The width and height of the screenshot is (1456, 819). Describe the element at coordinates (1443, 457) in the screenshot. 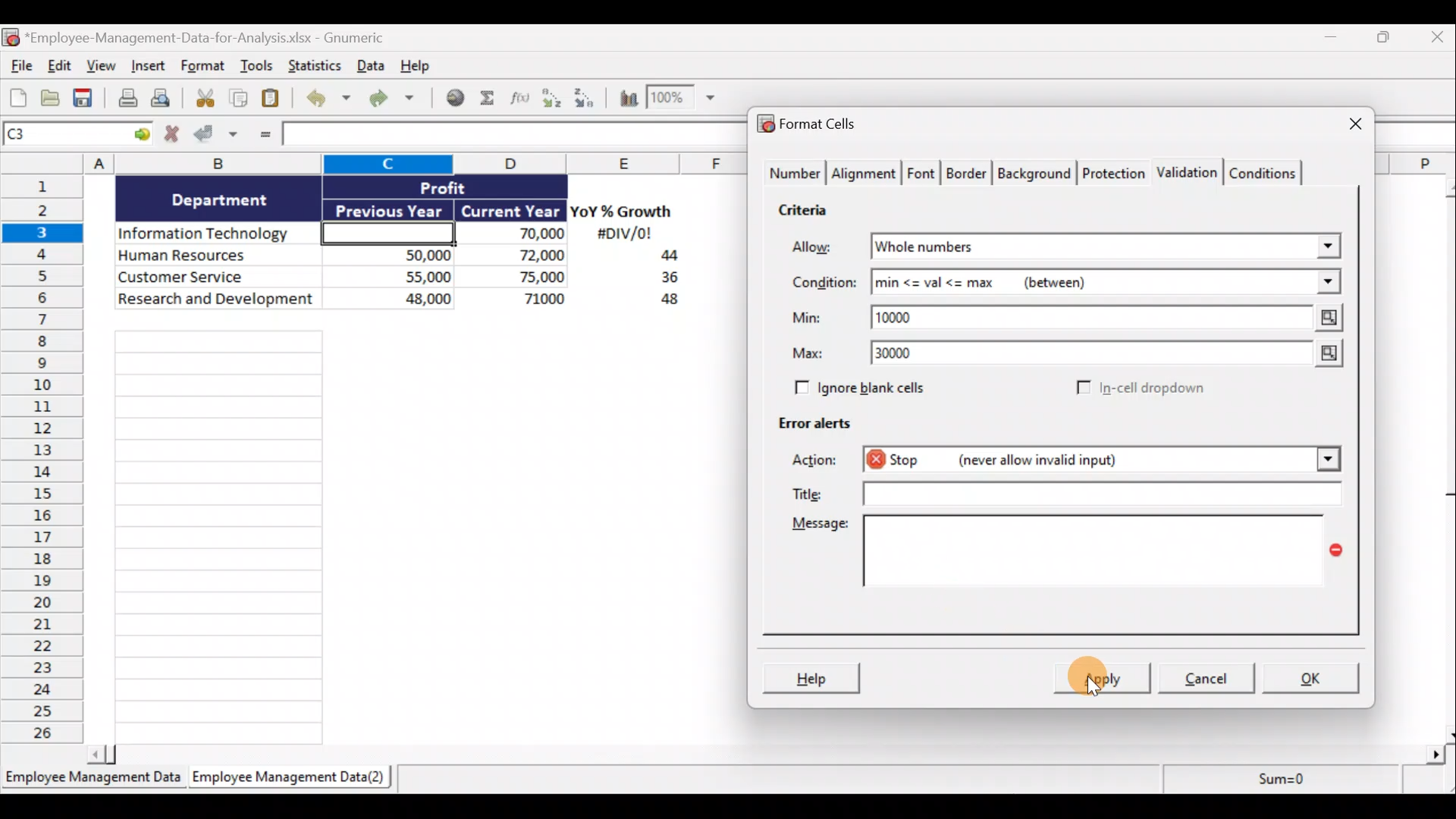

I see `Scroll bar` at that location.